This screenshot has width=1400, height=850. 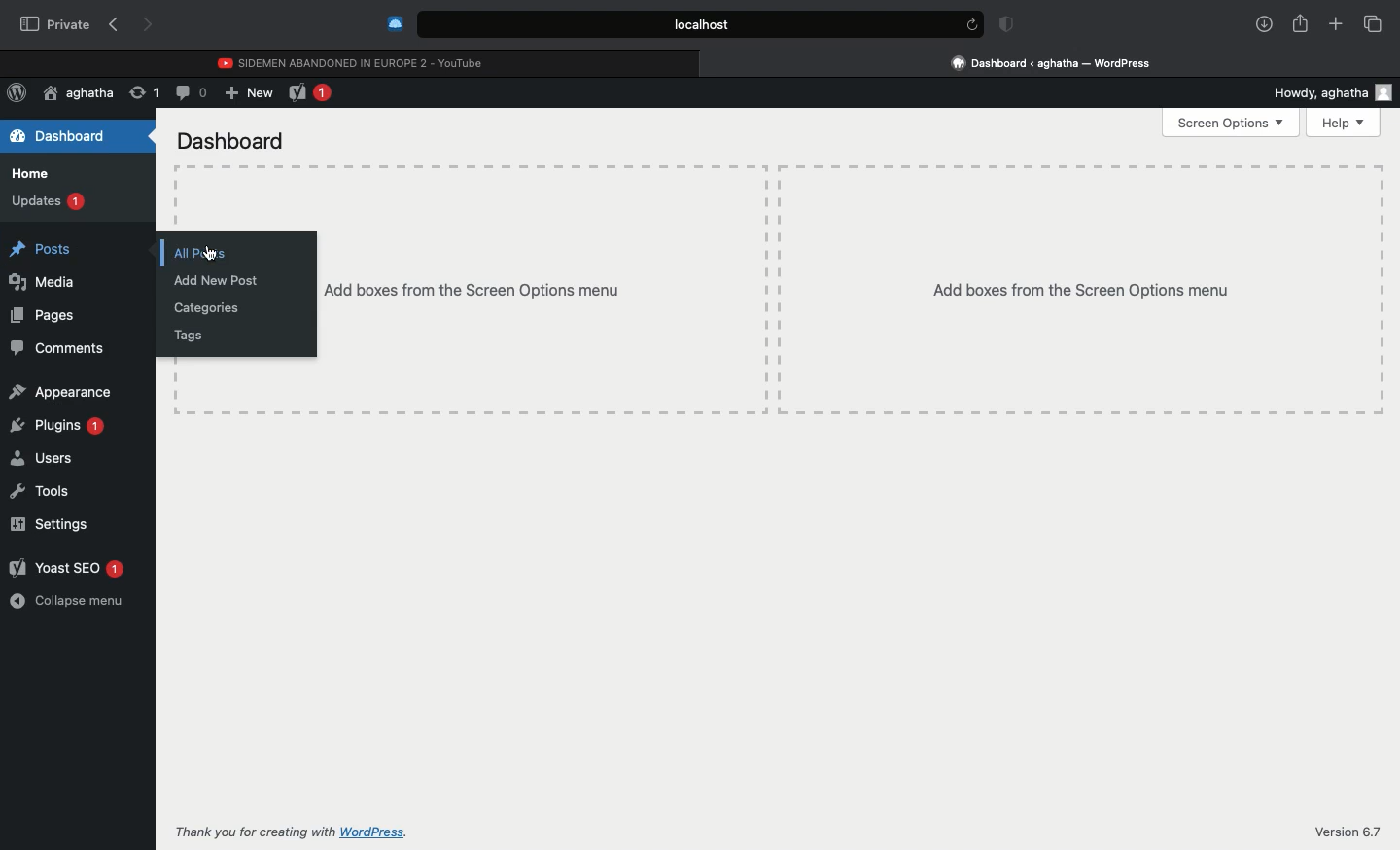 I want to click on Next page, so click(x=150, y=26).